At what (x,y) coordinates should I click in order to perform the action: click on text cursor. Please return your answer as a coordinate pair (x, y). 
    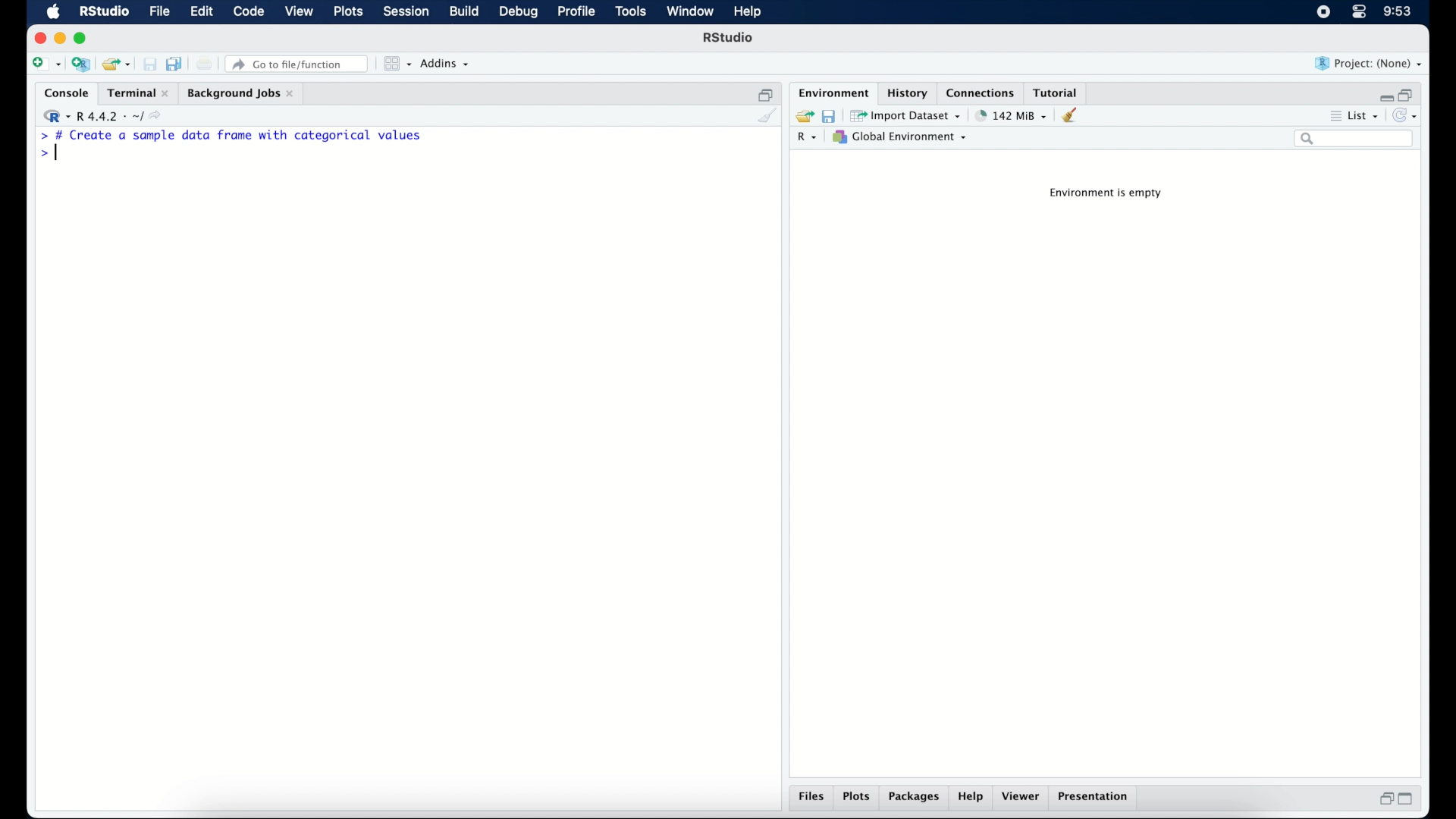
    Looking at the image, I should click on (61, 155).